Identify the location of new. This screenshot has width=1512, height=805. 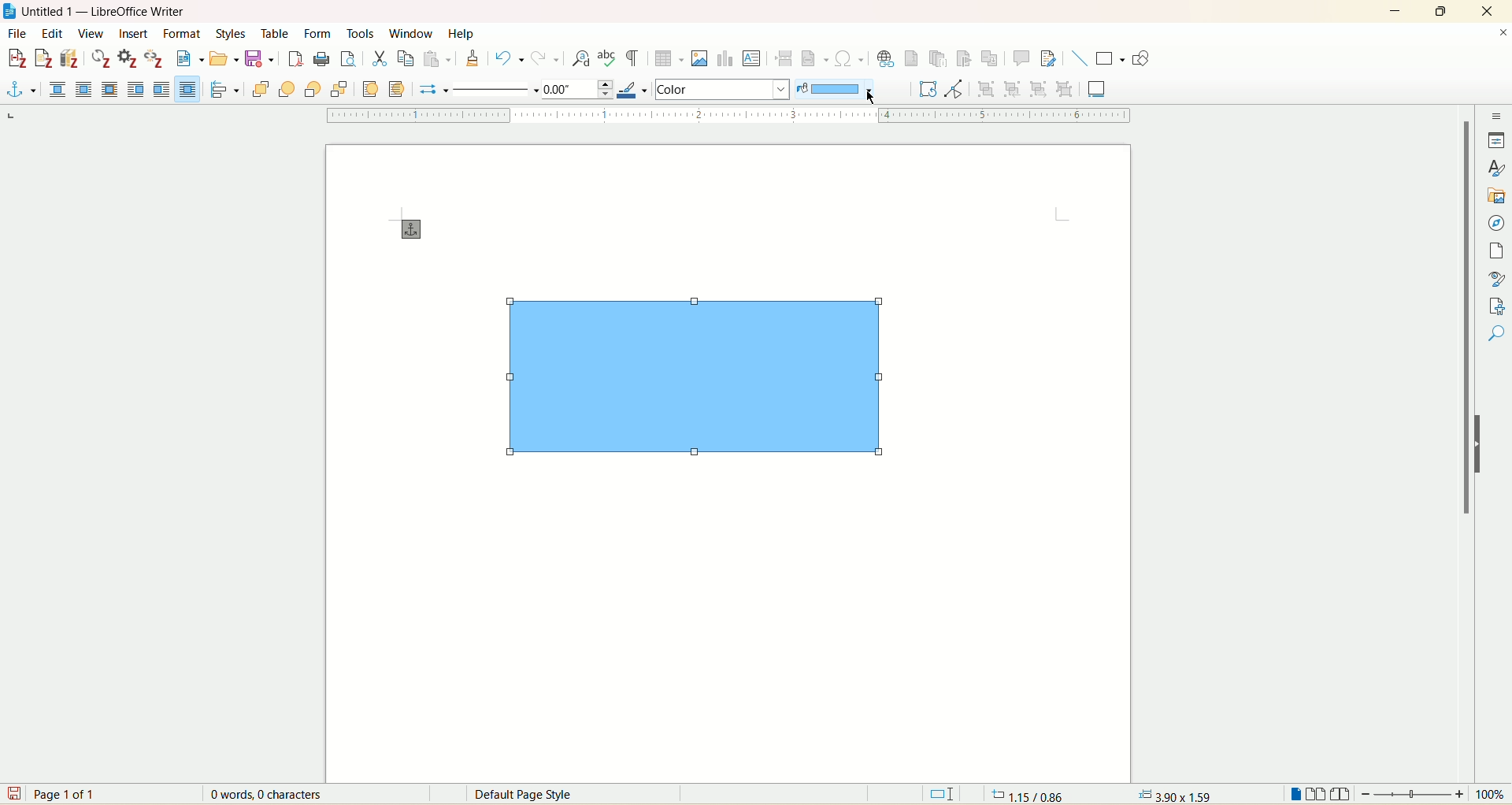
(187, 60).